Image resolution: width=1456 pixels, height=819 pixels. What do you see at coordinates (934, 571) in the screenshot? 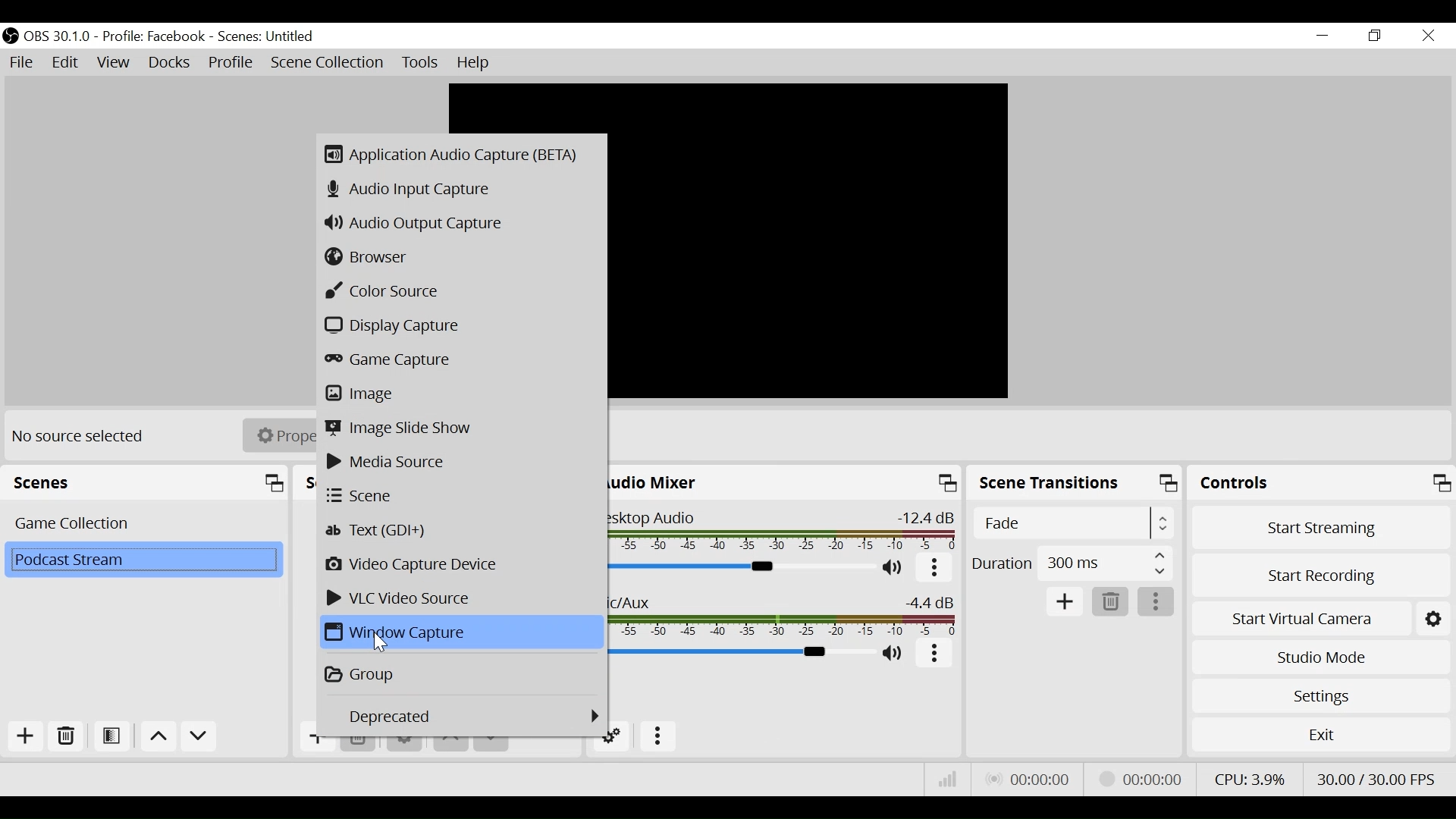
I see `More options ` at bounding box center [934, 571].